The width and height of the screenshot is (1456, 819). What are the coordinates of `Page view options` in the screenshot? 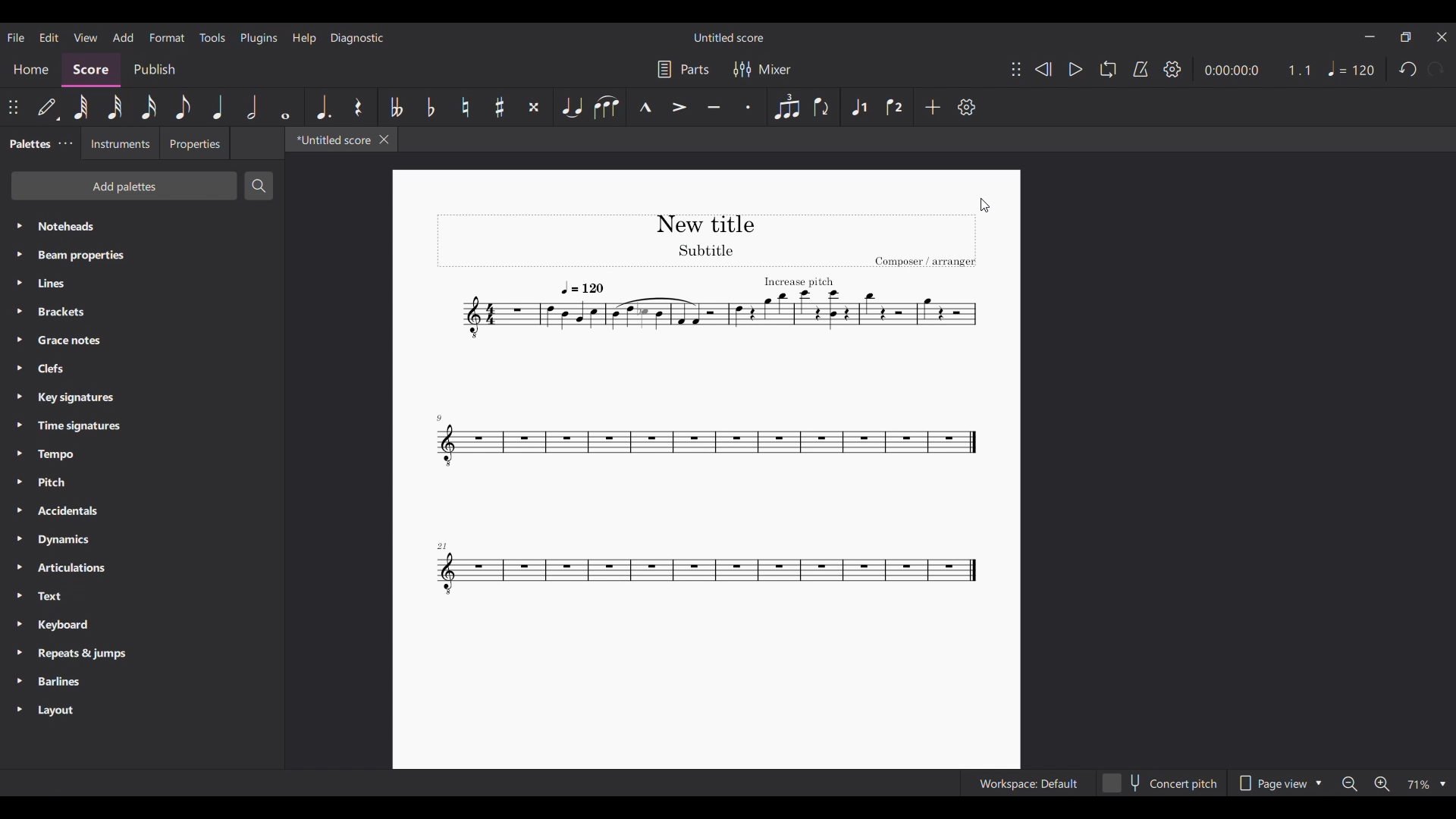 It's located at (1277, 783).